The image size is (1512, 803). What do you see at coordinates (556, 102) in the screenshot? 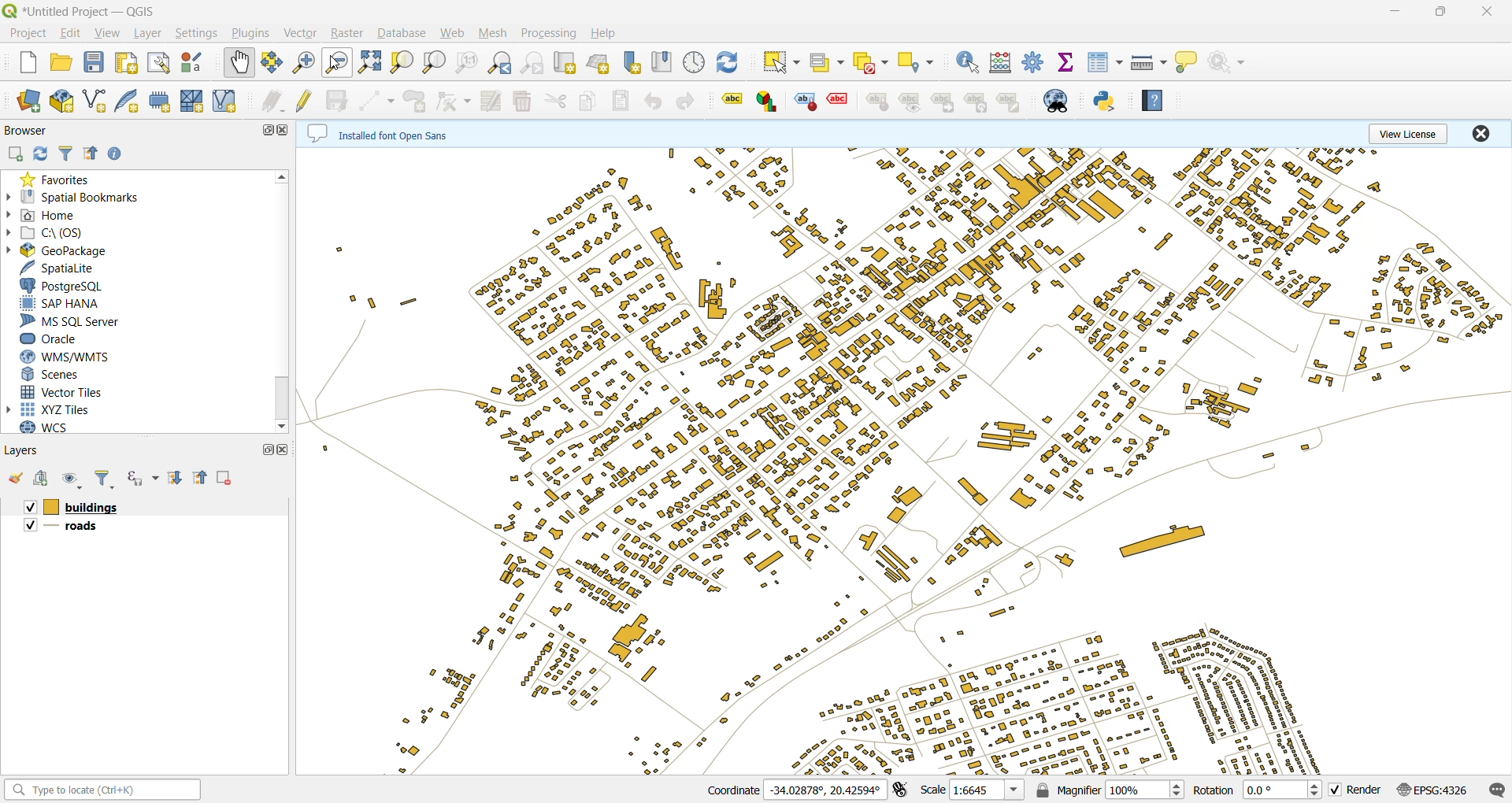
I see `cut` at bounding box center [556, 102].